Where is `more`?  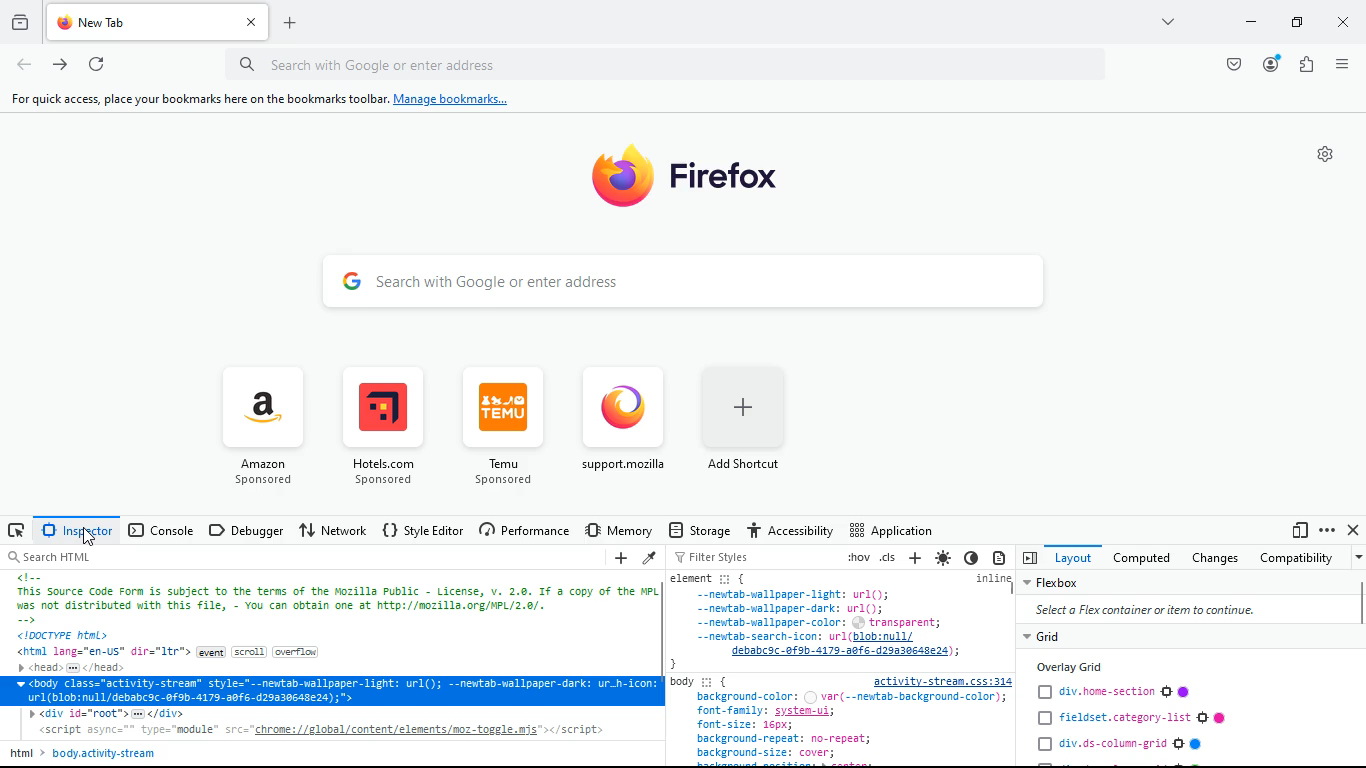
more is located at coordinates (1357, 557).